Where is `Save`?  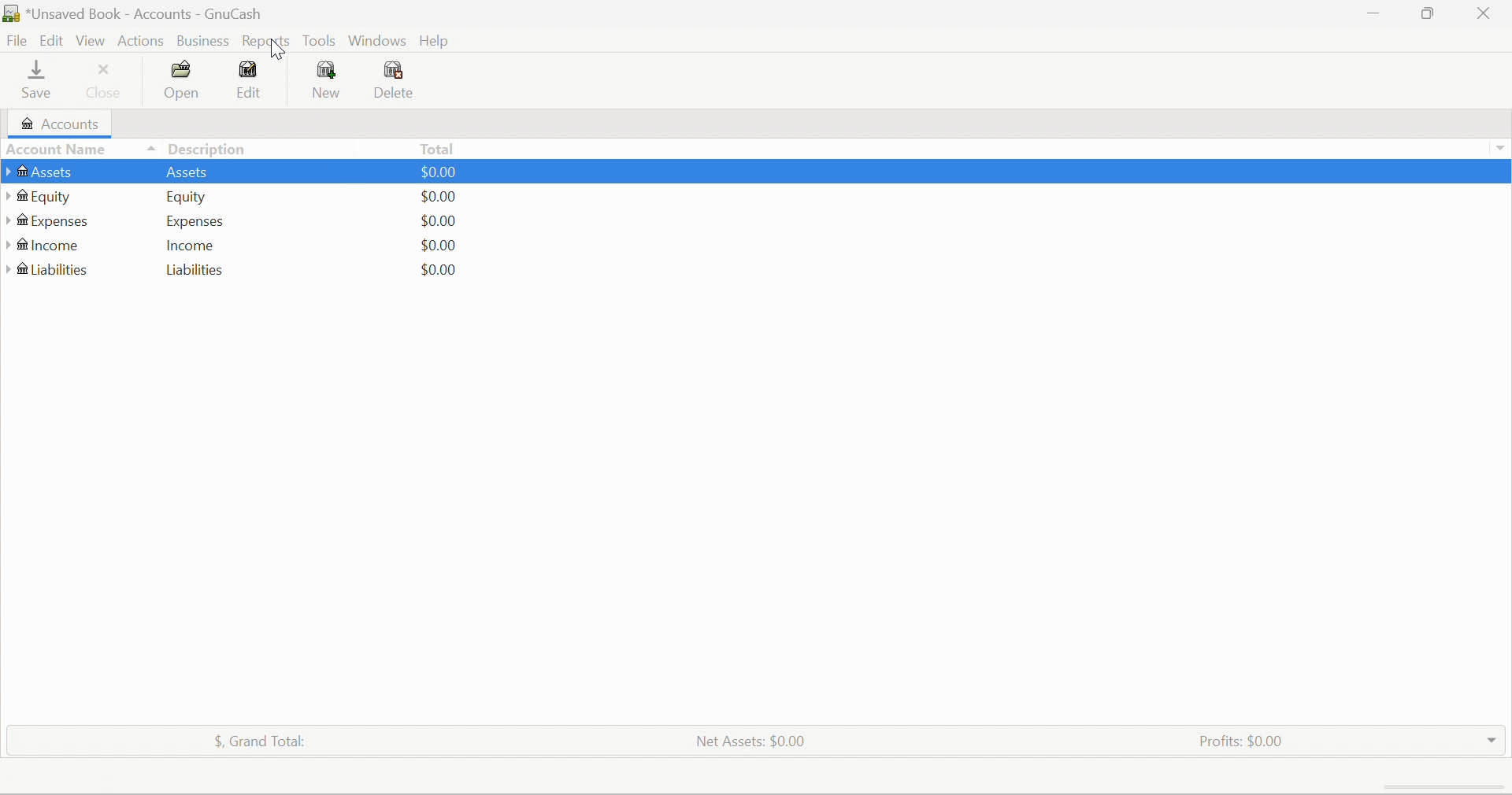 Save is located at coordinates (39, 82).